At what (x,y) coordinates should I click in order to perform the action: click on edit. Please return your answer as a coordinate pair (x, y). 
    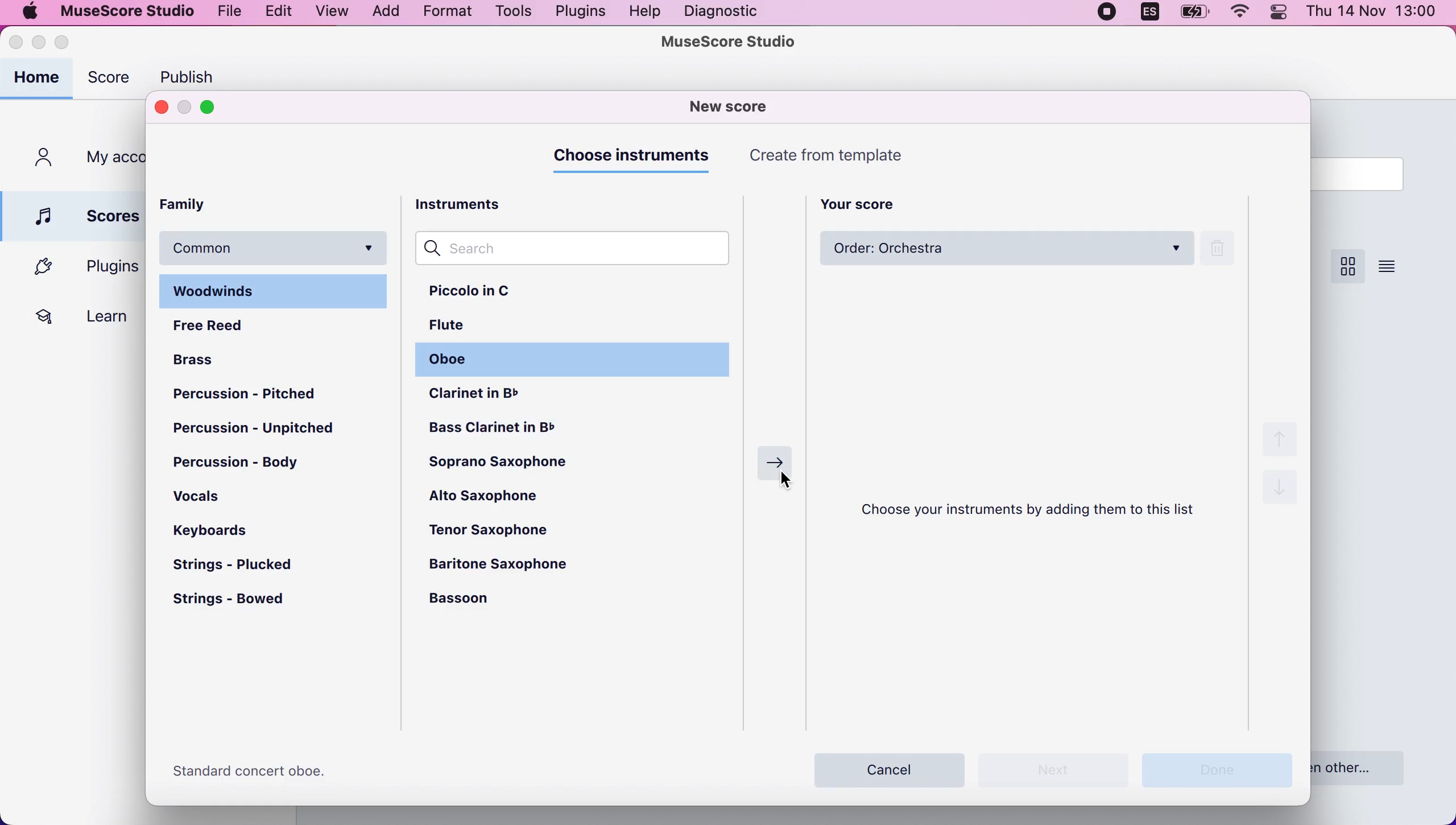
    Looking at the image, I should click on (279, 13).